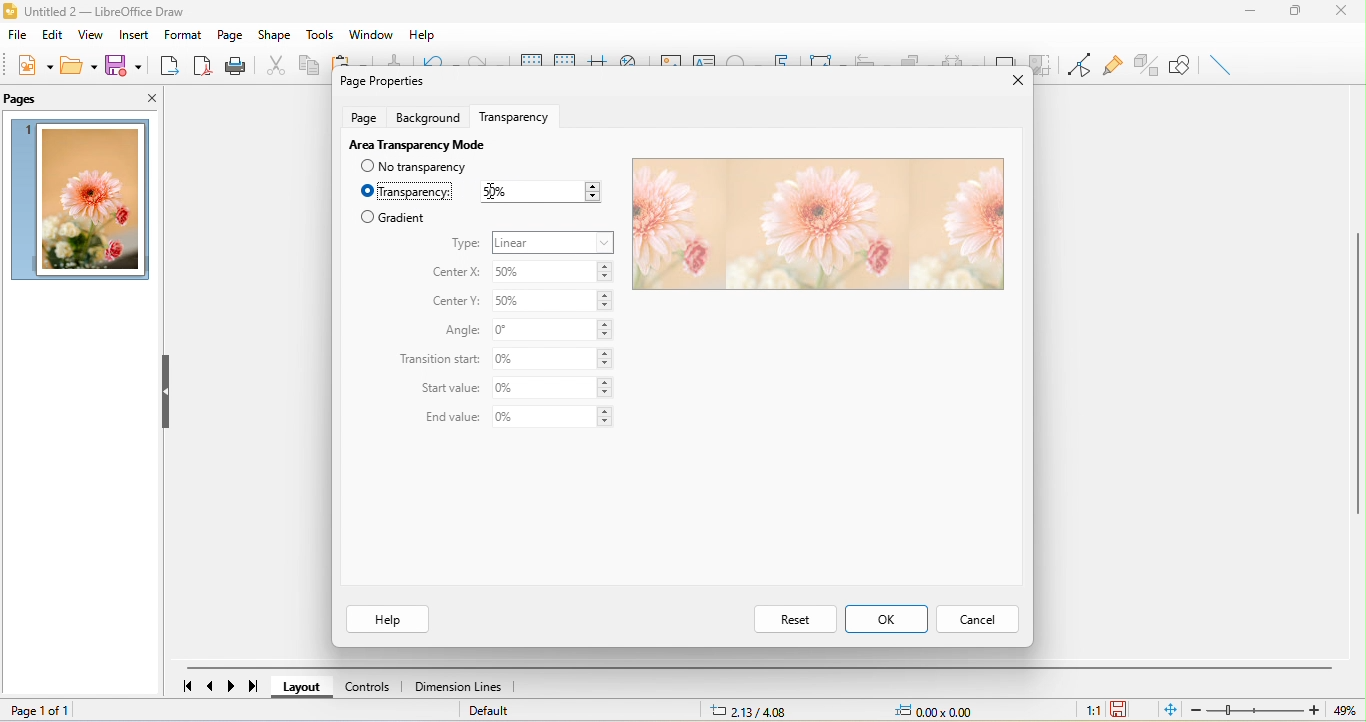 This screenshot has height=722, width=1366. What do you see at coordinates (374, 34) in the screenshot?
I see `window` at bounding box center [374, 34].